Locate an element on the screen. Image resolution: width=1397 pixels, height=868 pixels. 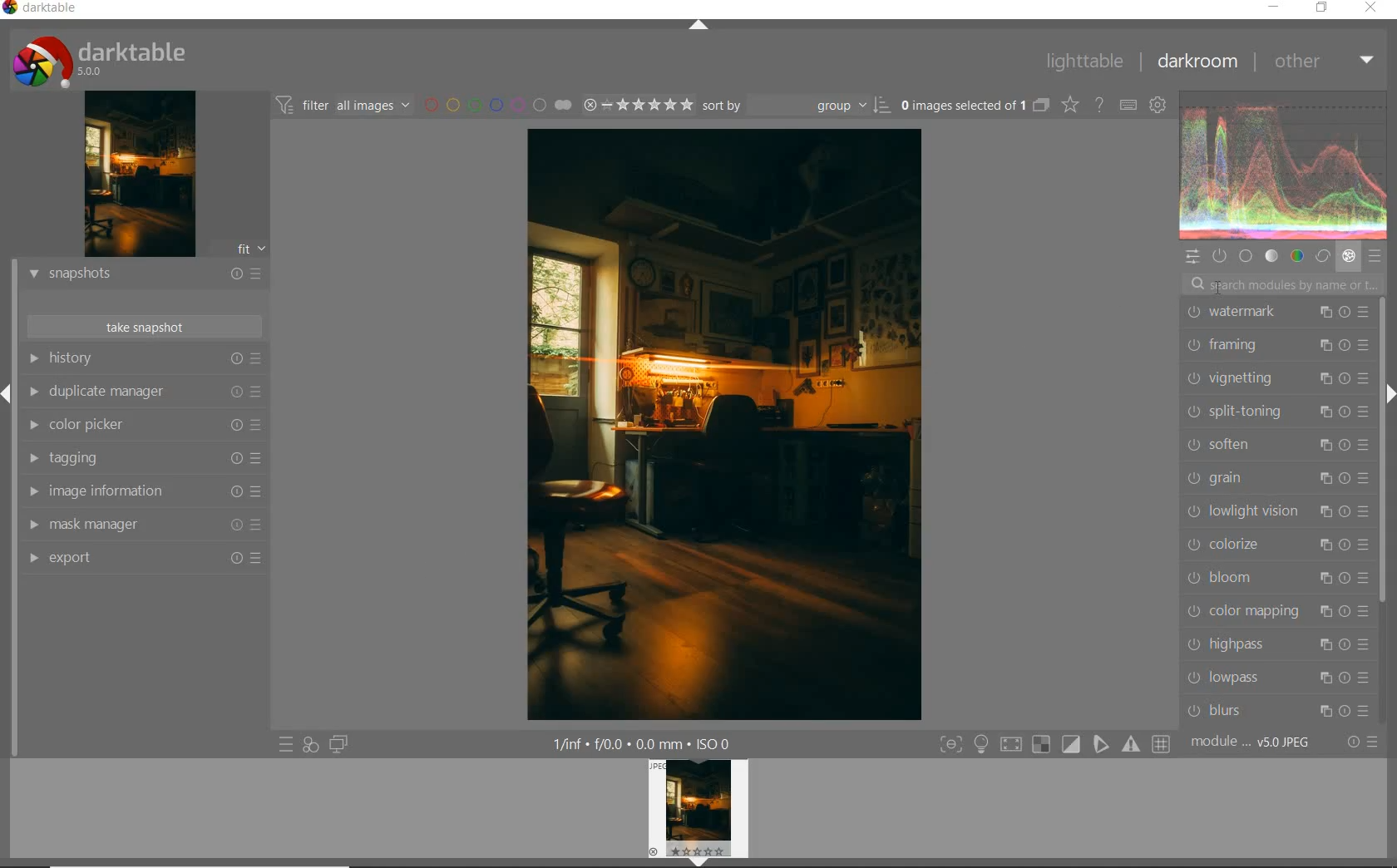
lowpass is located at coordinates (1281, 677).